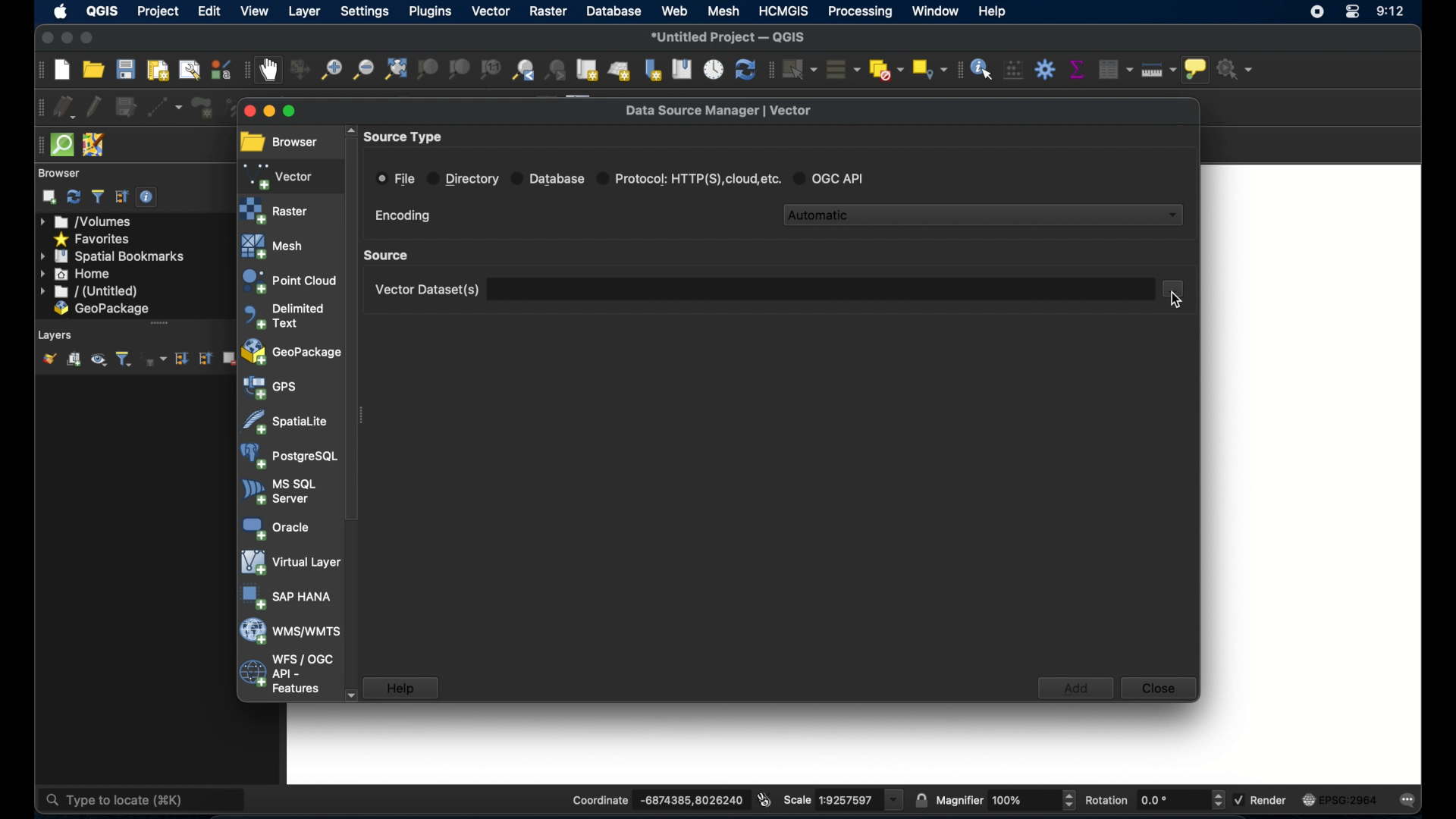 Image resolution: width=1456 pixels, height=819 pixels. What do you see at coordinates (770, 69) in the screenshot?
I see `selection toolbar` at bounding box center [770, 69].